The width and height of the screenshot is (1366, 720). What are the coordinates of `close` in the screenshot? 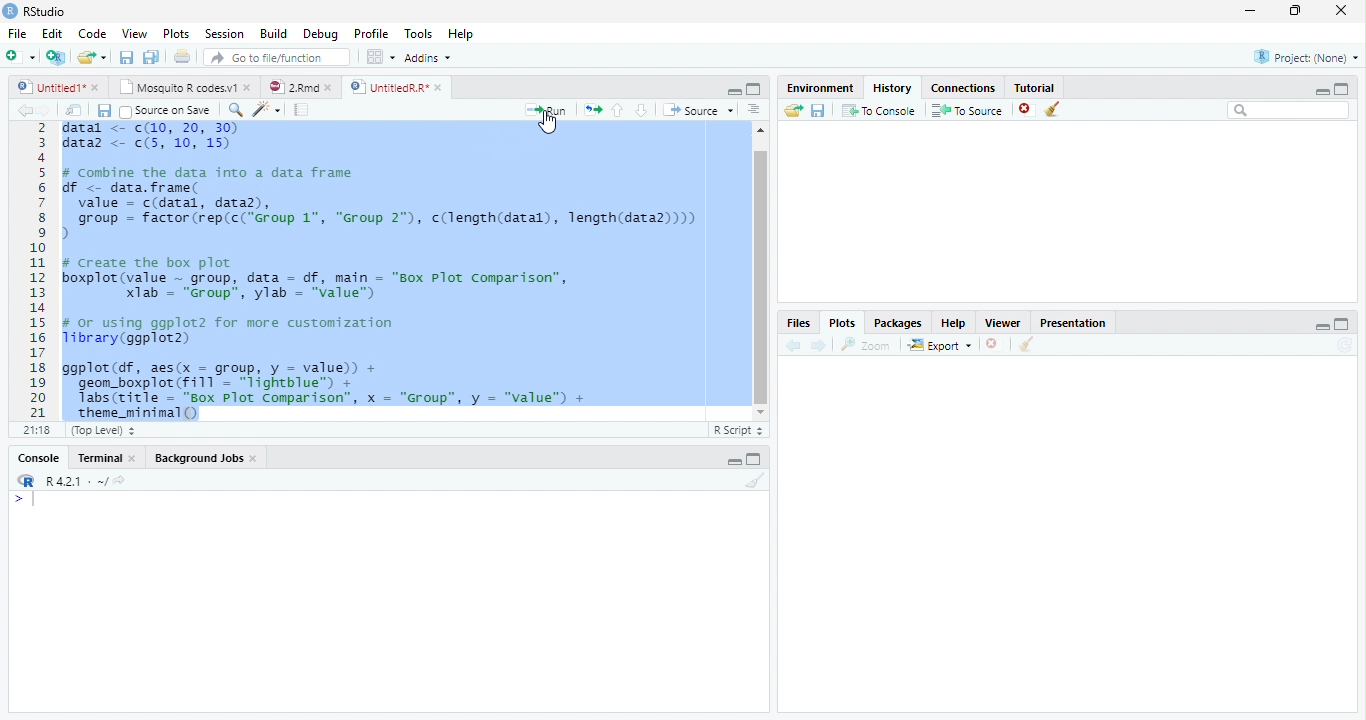 It's located at (328, 87).